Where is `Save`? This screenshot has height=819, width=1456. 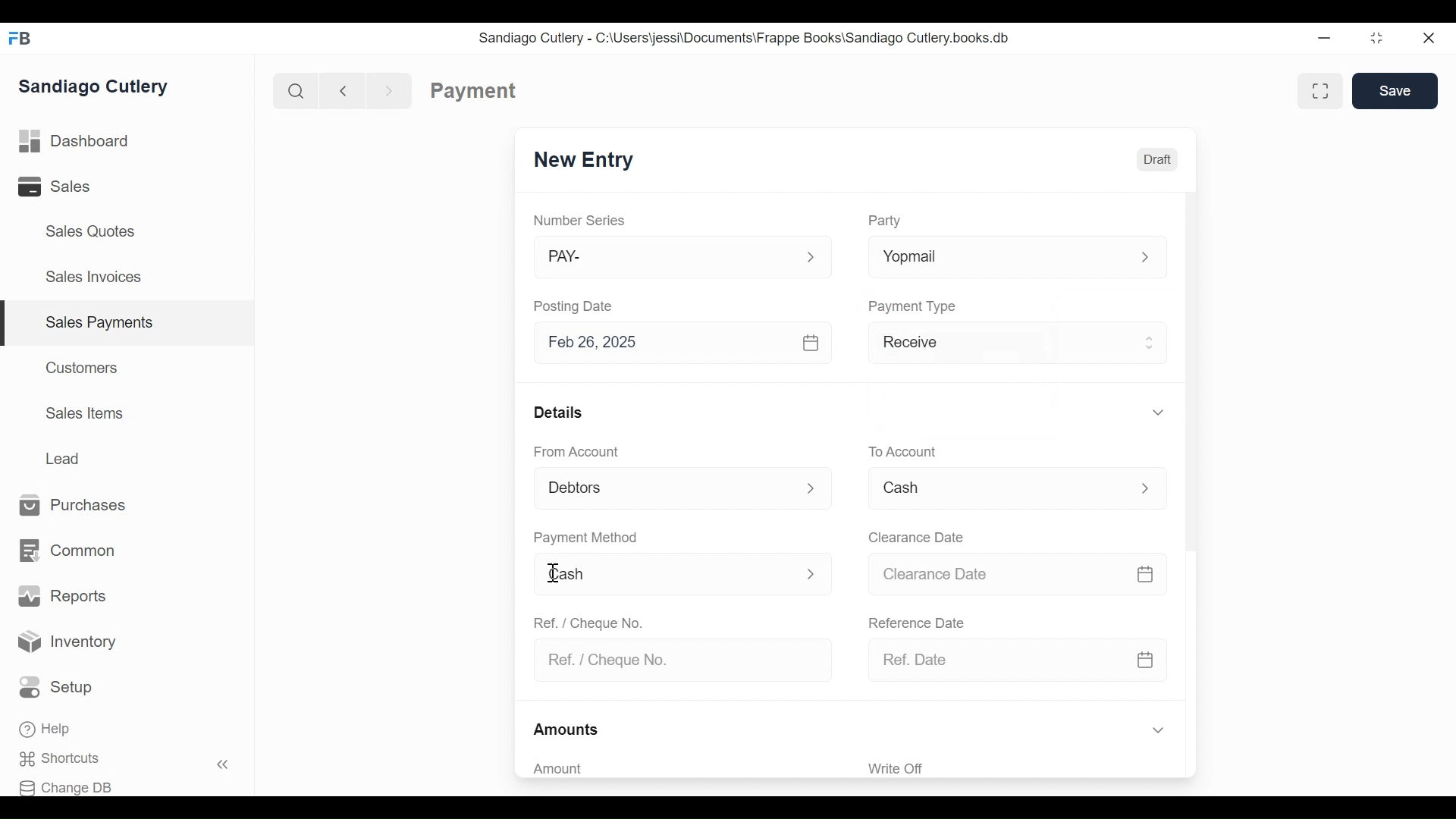
Save is located at coordinates (1395, 91).